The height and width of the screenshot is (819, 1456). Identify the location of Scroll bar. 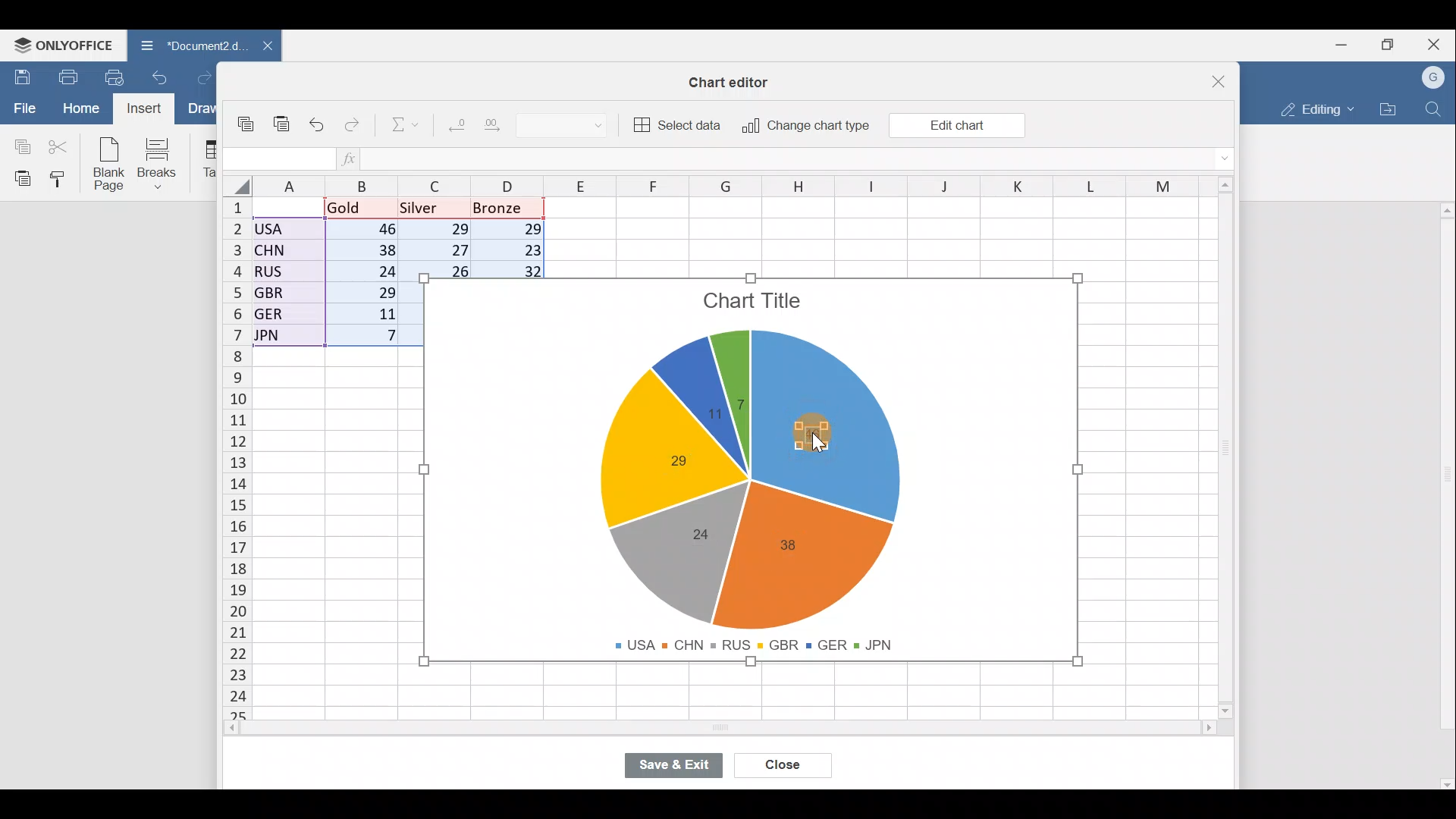
(1232, 452).